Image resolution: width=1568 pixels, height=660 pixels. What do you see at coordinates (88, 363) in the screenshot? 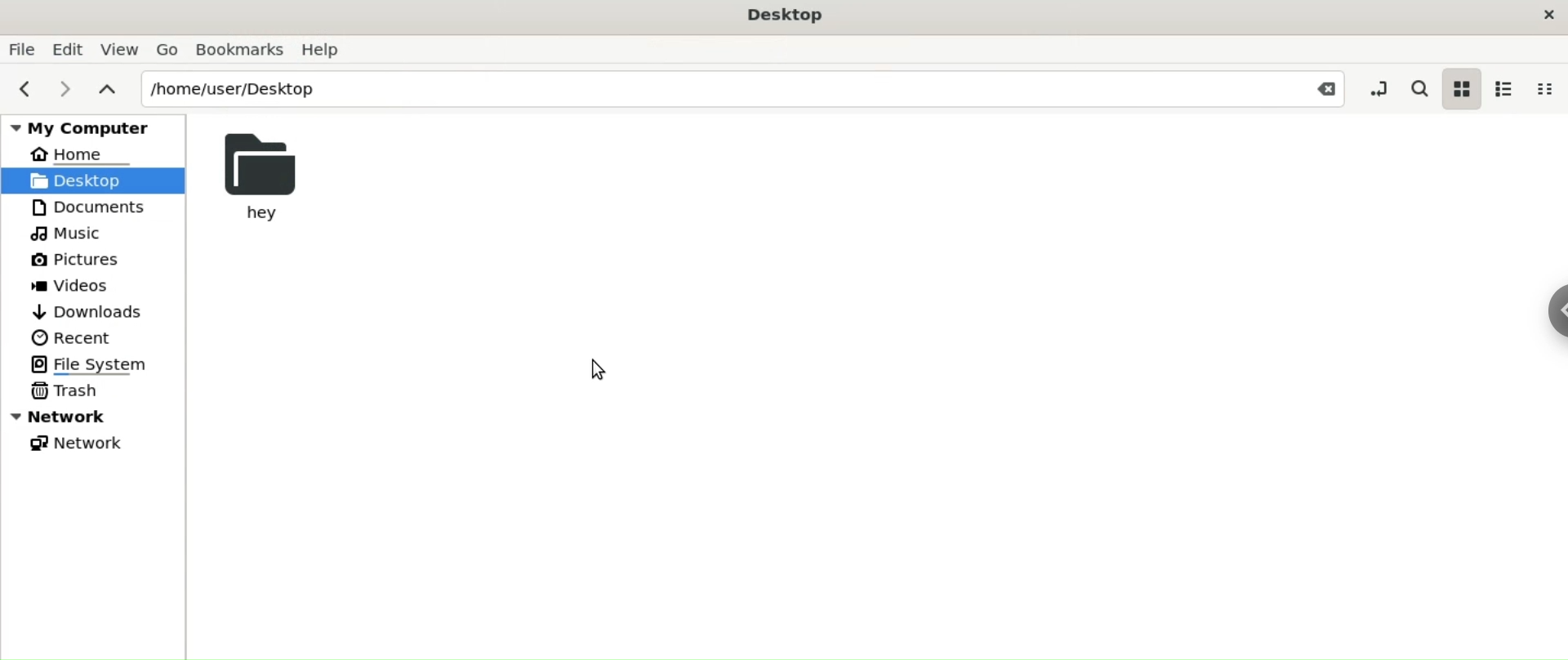
I see `File System` at bounding box center [88, 363].